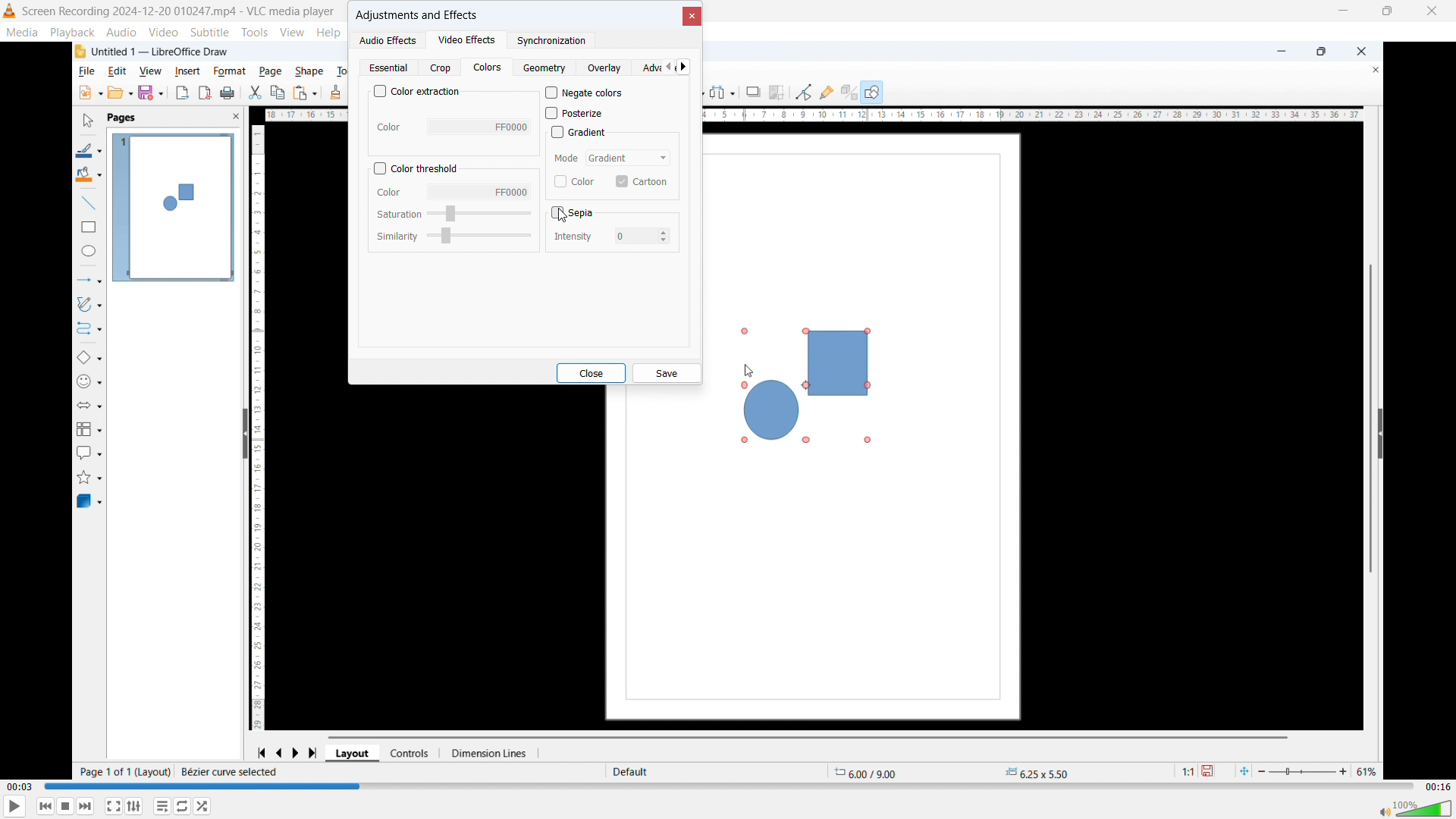 Image resolution: width=1456 pixels, height=819 pixels. What do you see at coordinates (162, 806) in the screenshot?
I see `Toggle playlist` at bounding box center [162, 806].